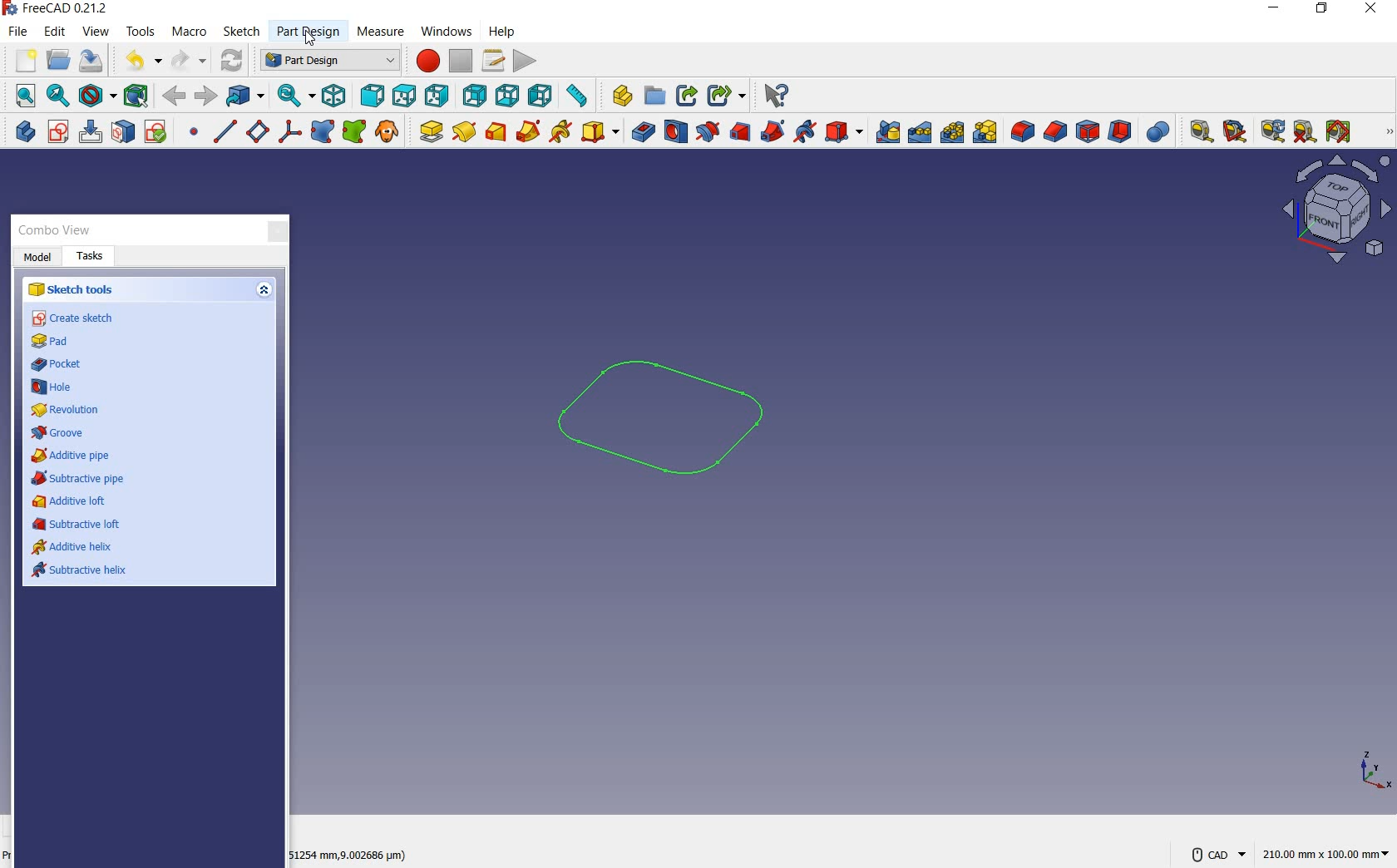 The image size is (1397, 868). I want to click on minimize, so click(1276, 8).